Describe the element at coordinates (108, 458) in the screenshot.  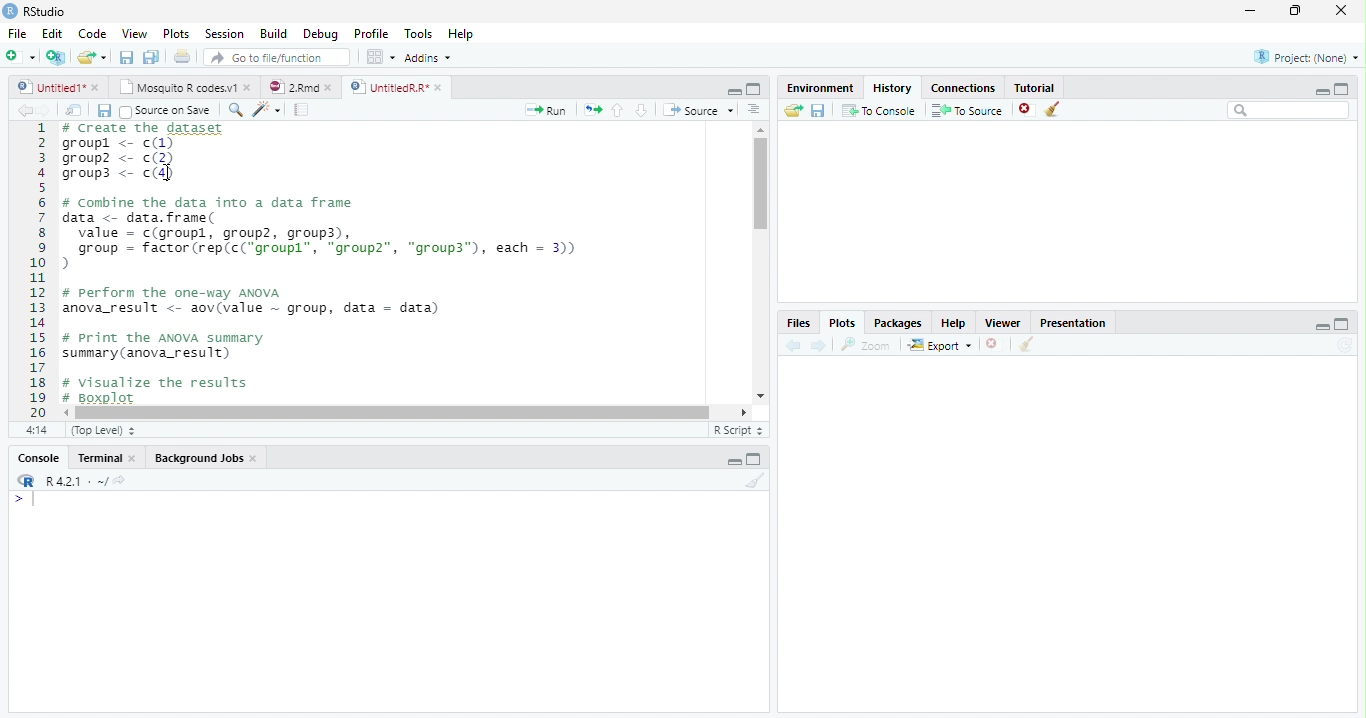
I see `Terminal` at that location.